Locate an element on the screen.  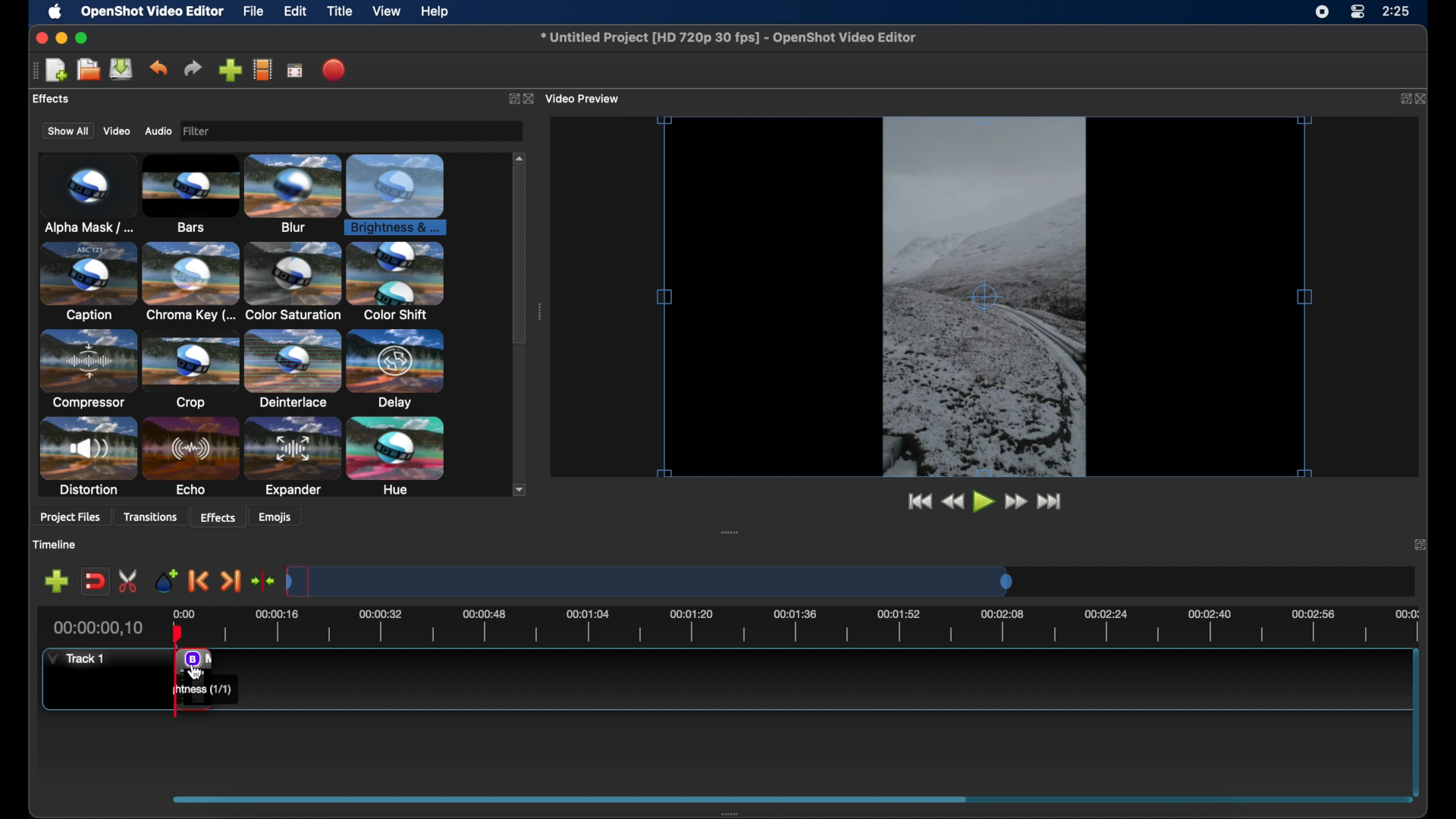
drag handle is located at coordinates (541, 312).